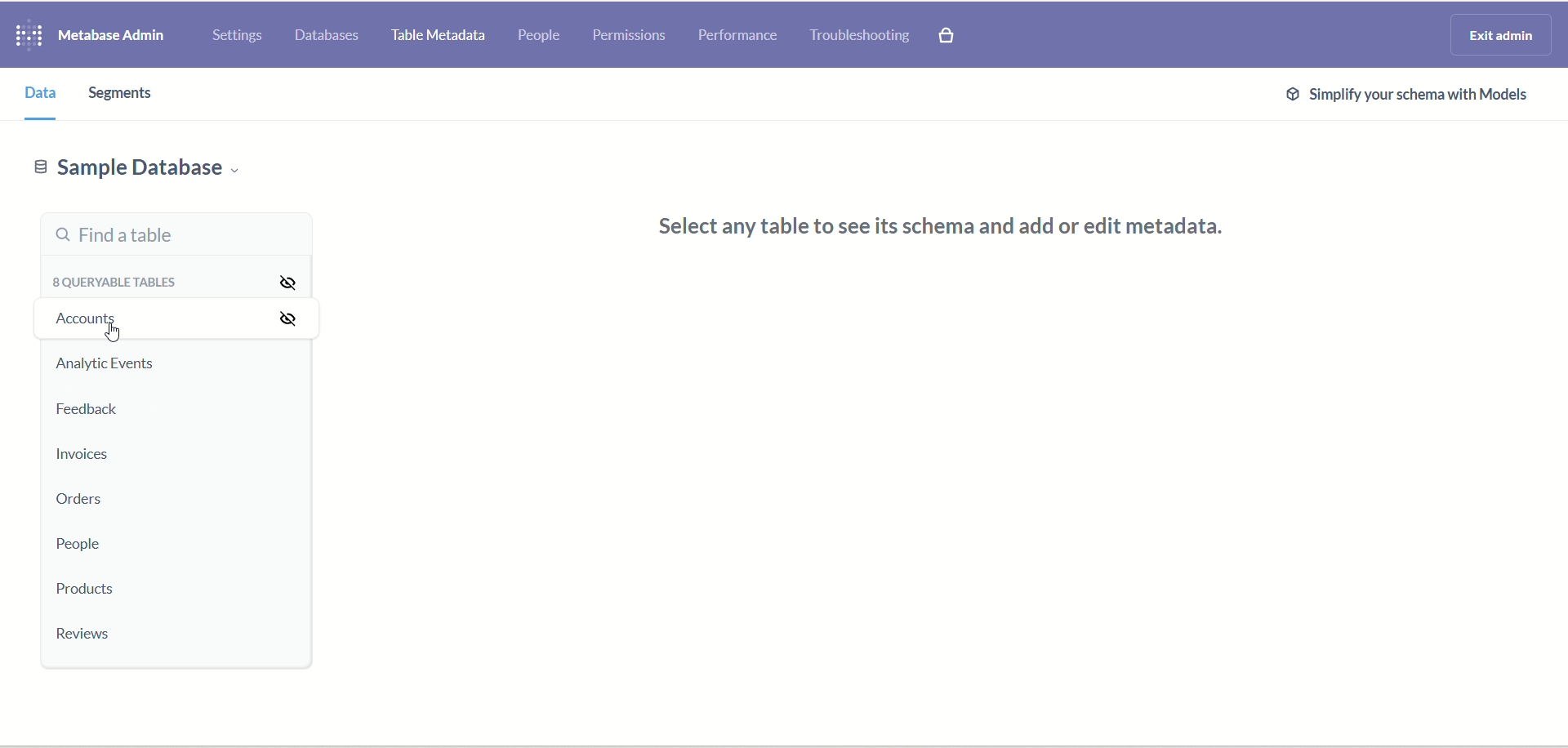 The height and width of the screenshot is (748, 1568). What do you see at coordinates (111, 35) in the screenshot?
I see `metabase admin heading` at bounding box center [111, 35].